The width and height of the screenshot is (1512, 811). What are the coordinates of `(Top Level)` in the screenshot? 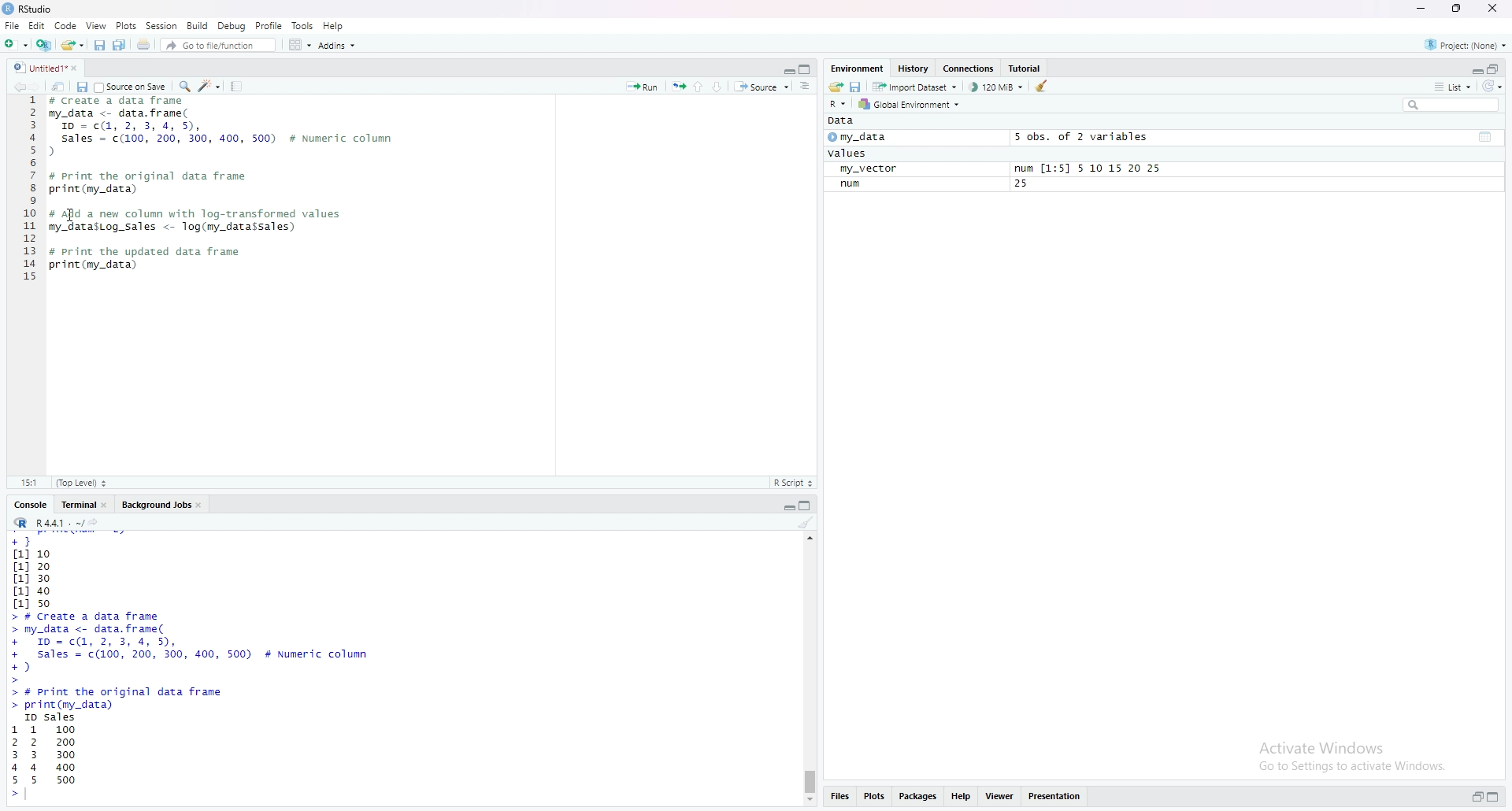 It's located at (83, 483).